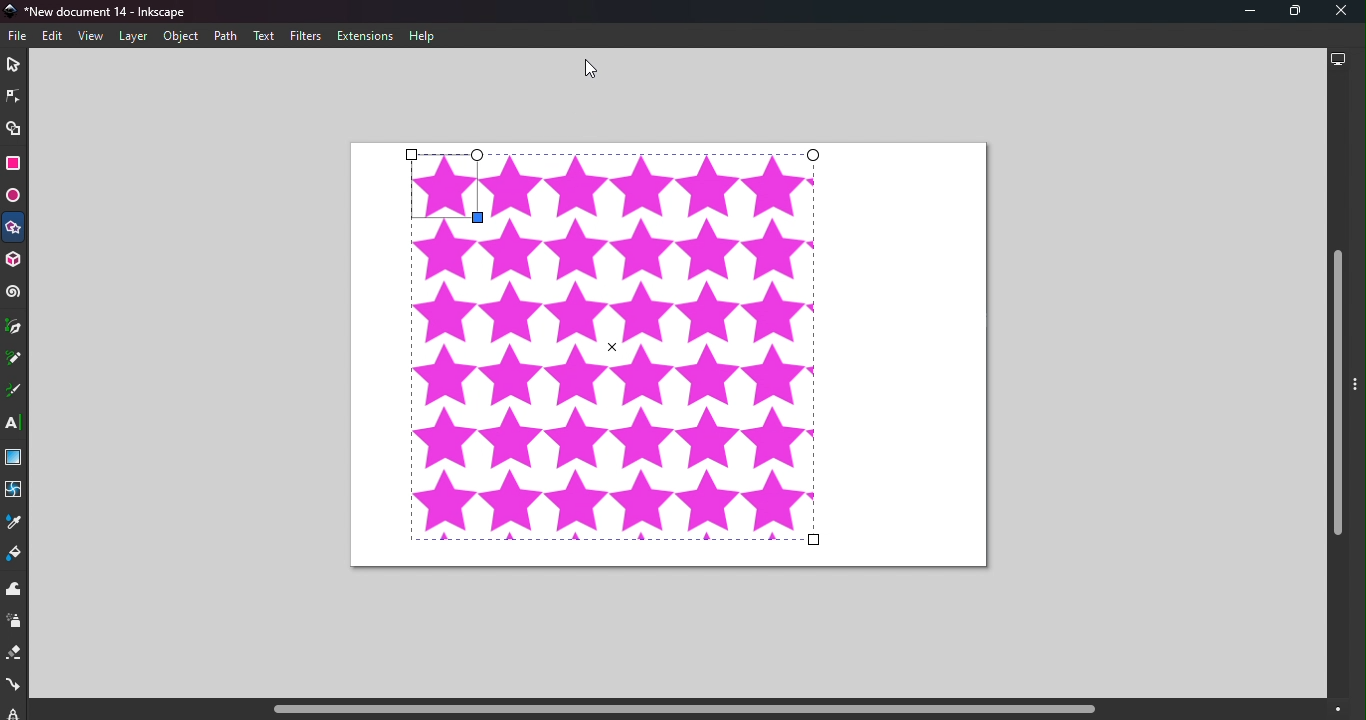 The width and height of the screenshot is (1366, 720). Describe the element at coordinates (676, 710) in the screenshot. I see `Horizontal scroll bar` at that location.